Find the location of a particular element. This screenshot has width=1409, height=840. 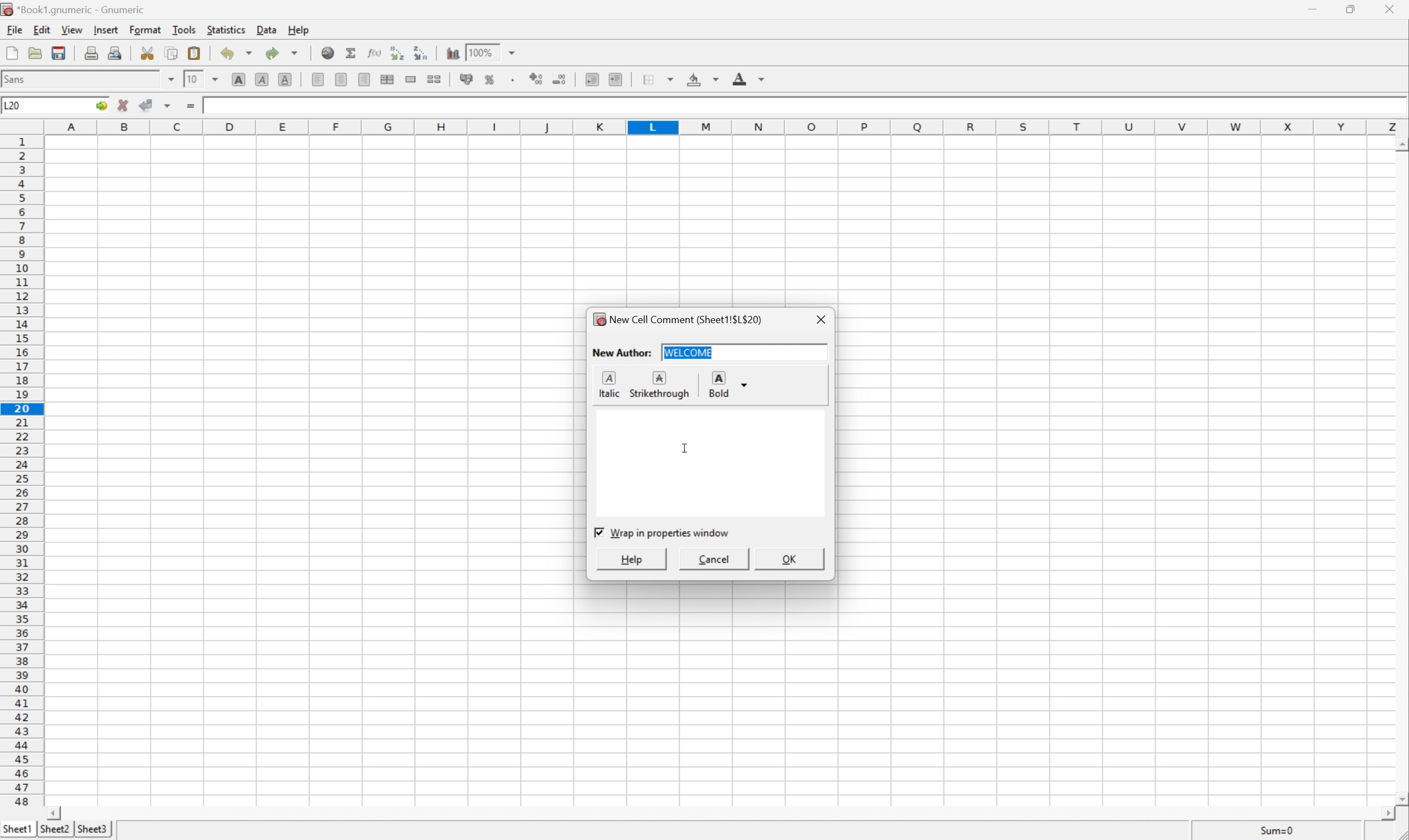

Paste clipboard is located at coordinates (195, 53).